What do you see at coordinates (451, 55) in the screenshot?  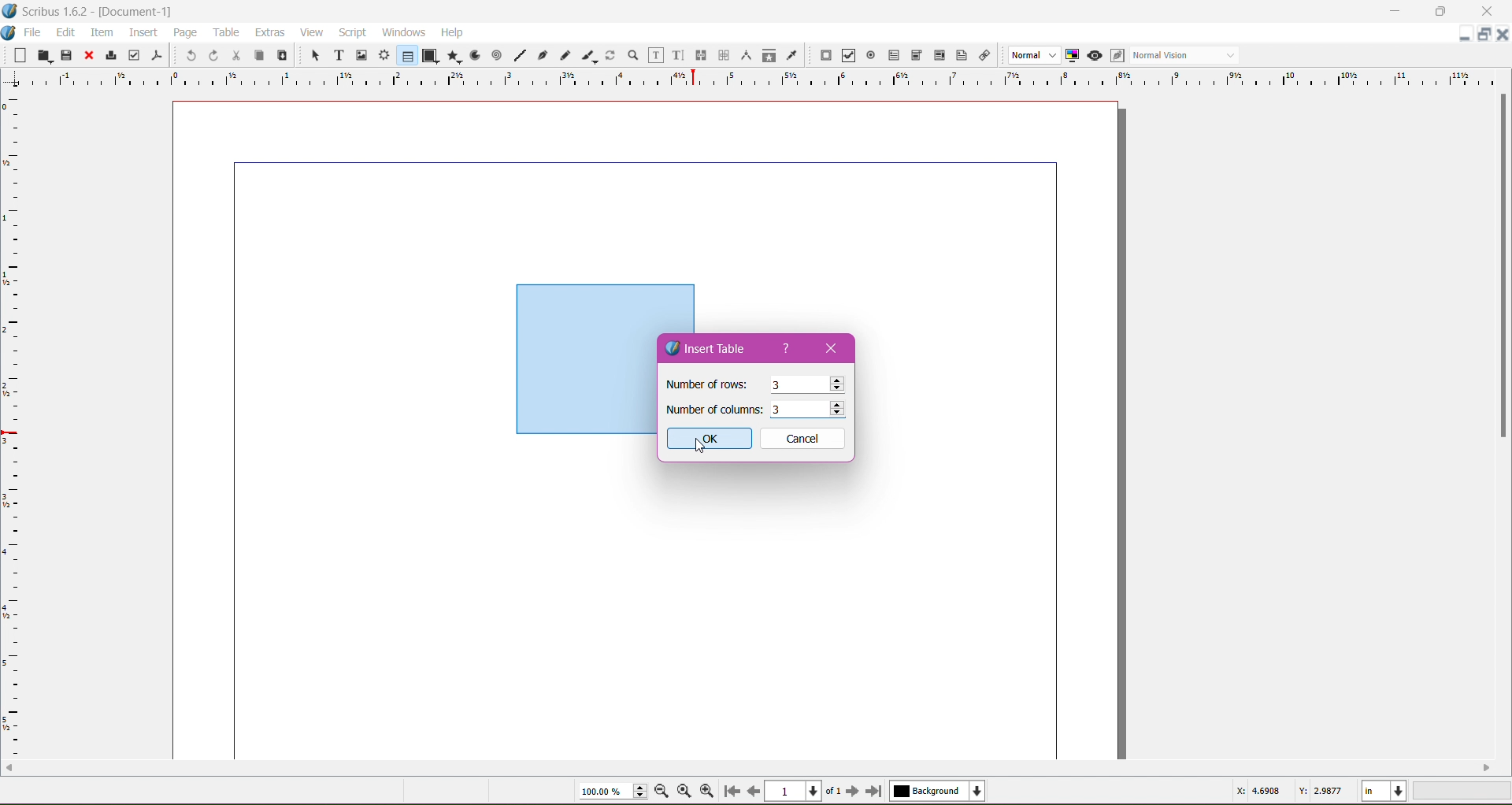 I see `Polygon` at bounding box center [451, 55].